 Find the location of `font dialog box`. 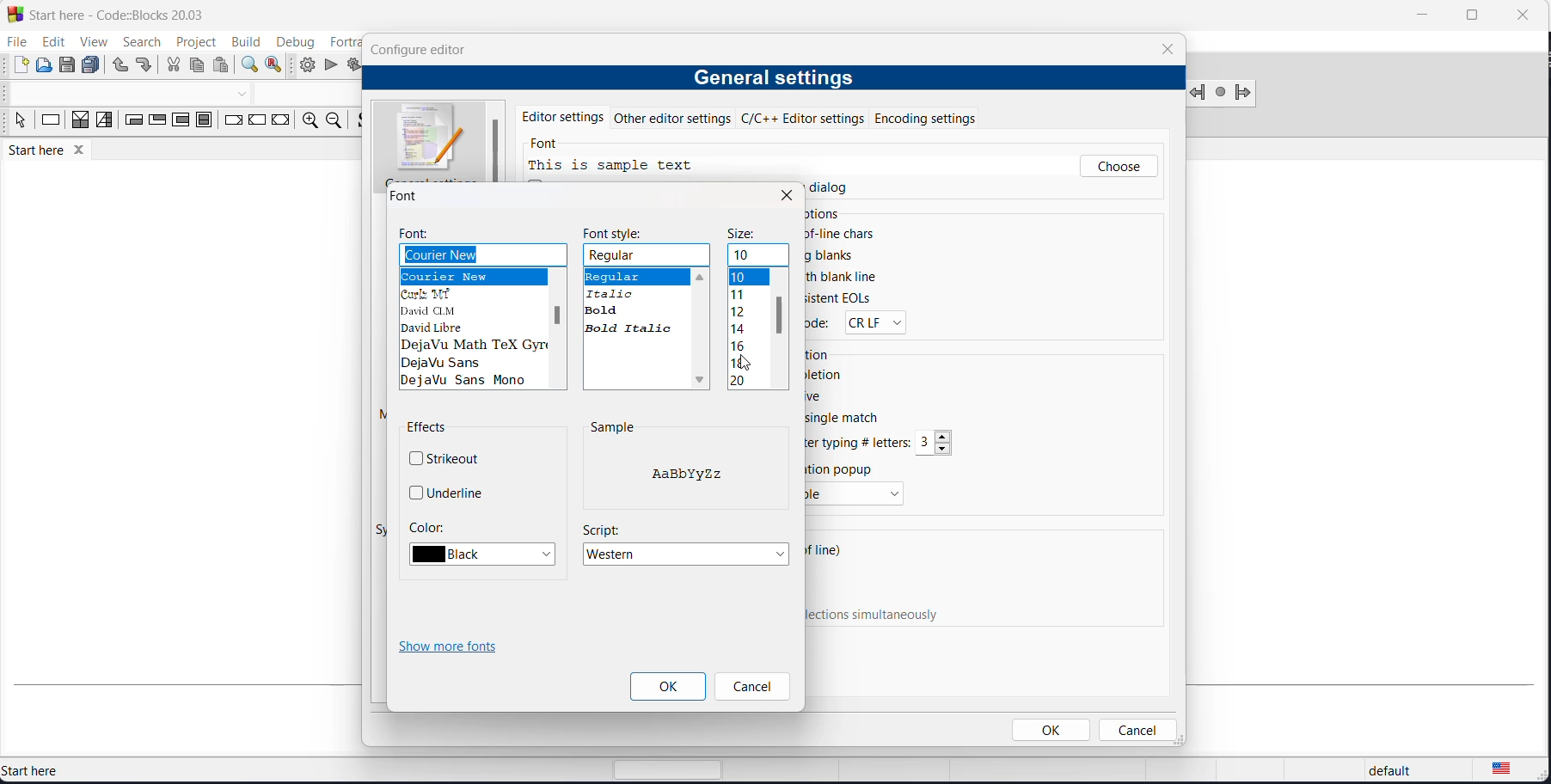

font dialog box is located at coordinates (409, 196).